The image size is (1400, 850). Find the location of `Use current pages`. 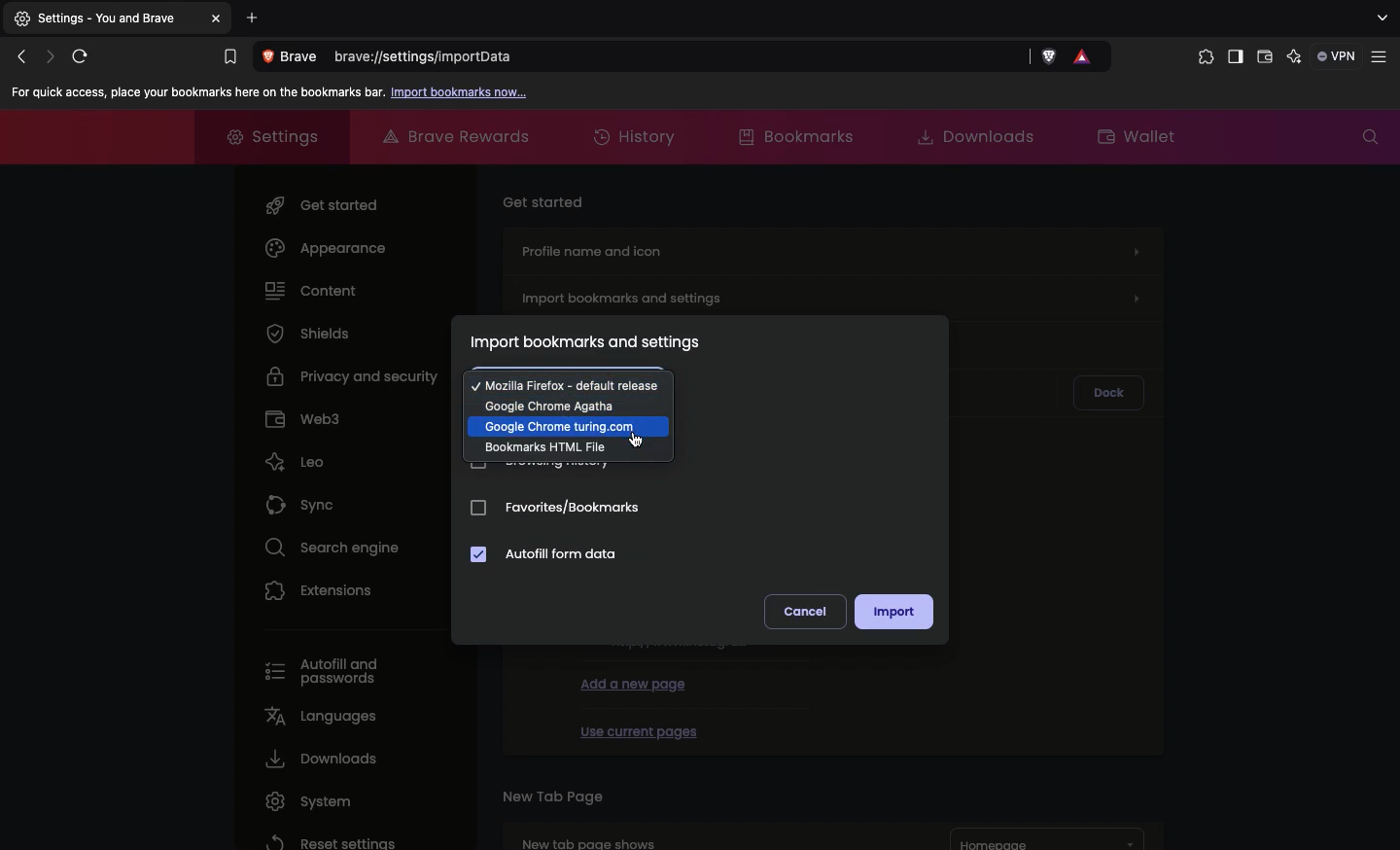

Use current pages is located at coordinates (638, 728).